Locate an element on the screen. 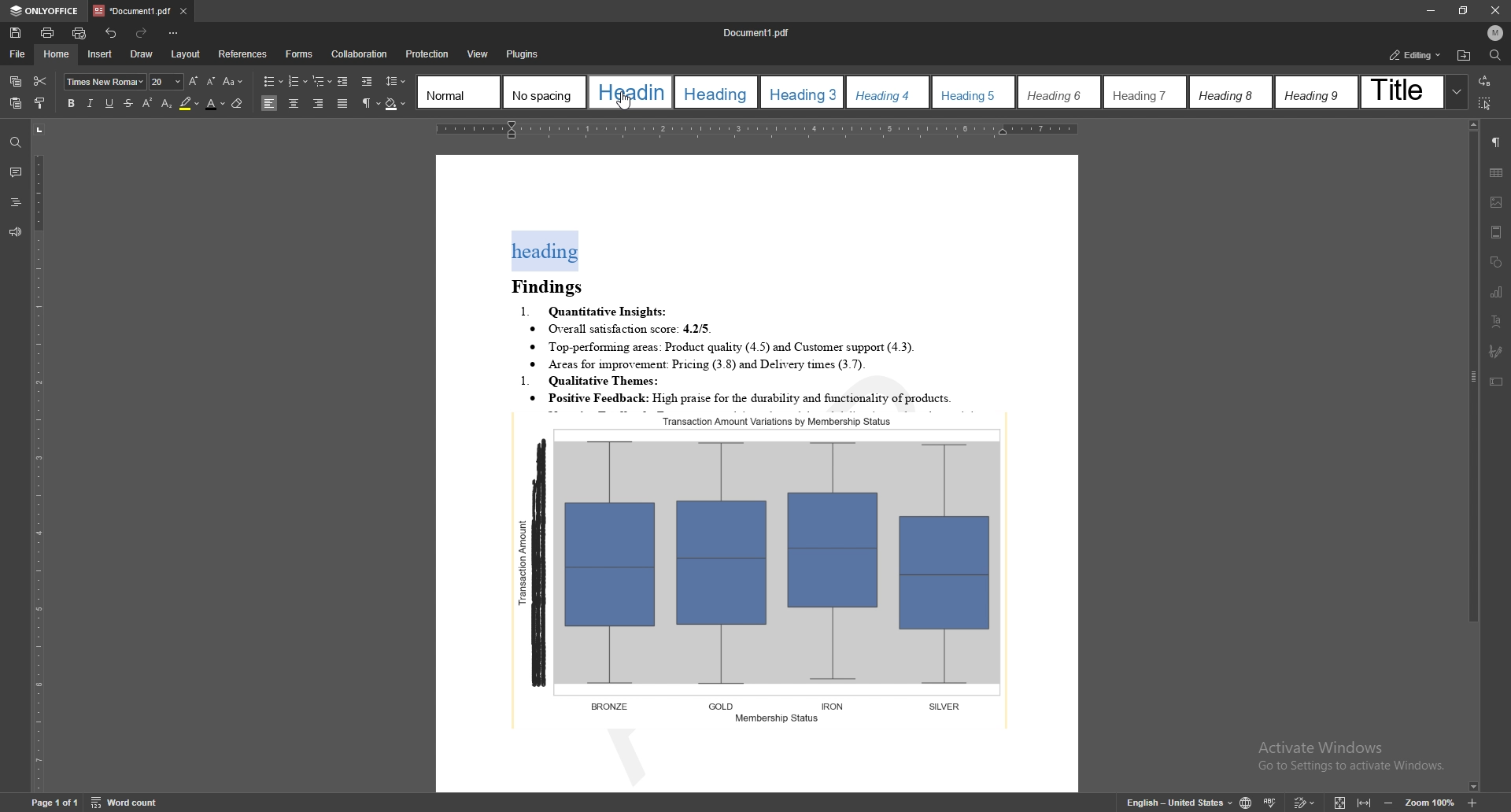  copy style is located at coordinates (42, 102).